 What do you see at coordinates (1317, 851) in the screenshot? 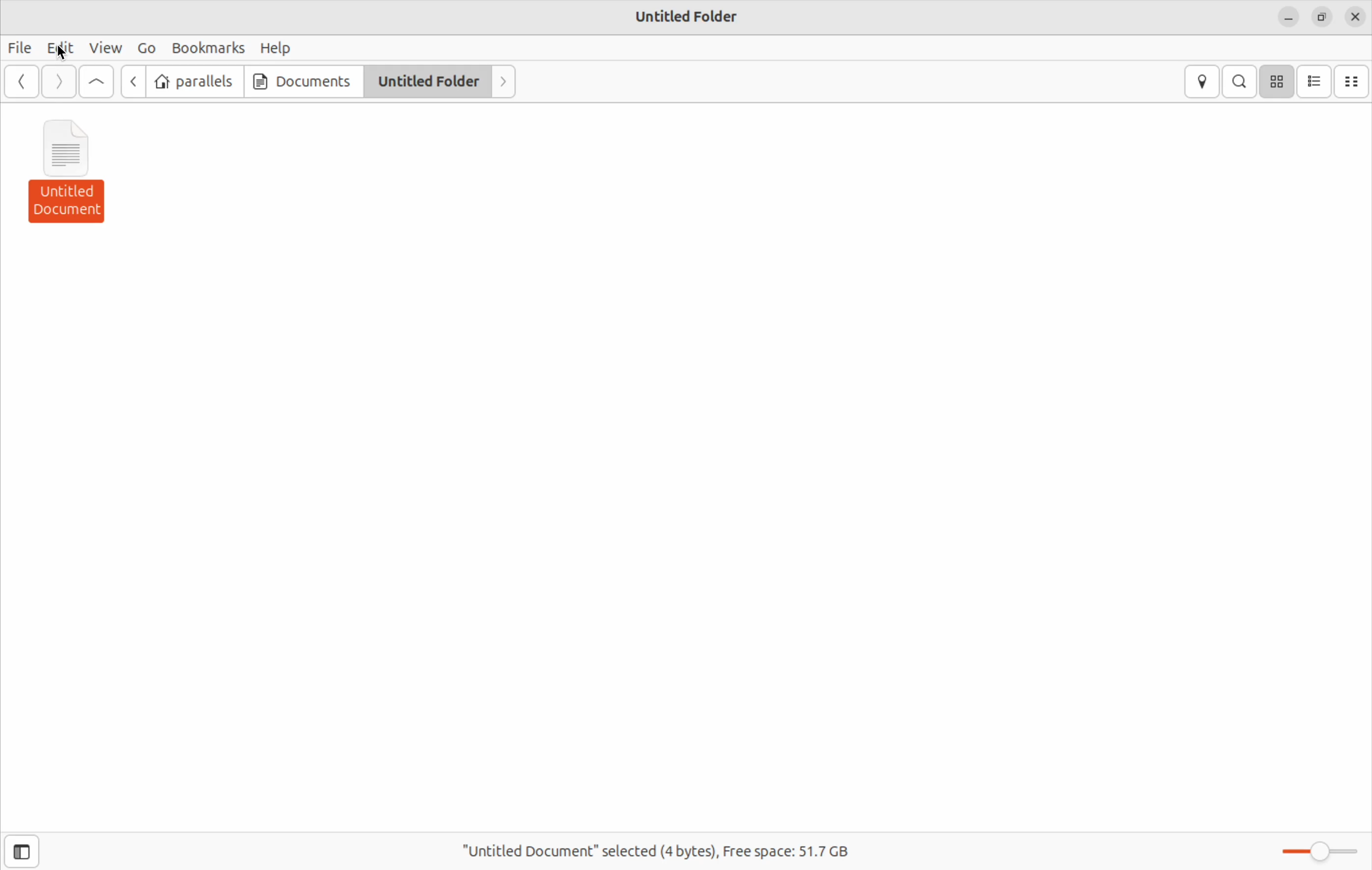
I see `Zoom` at bounding box center [1317, 851].